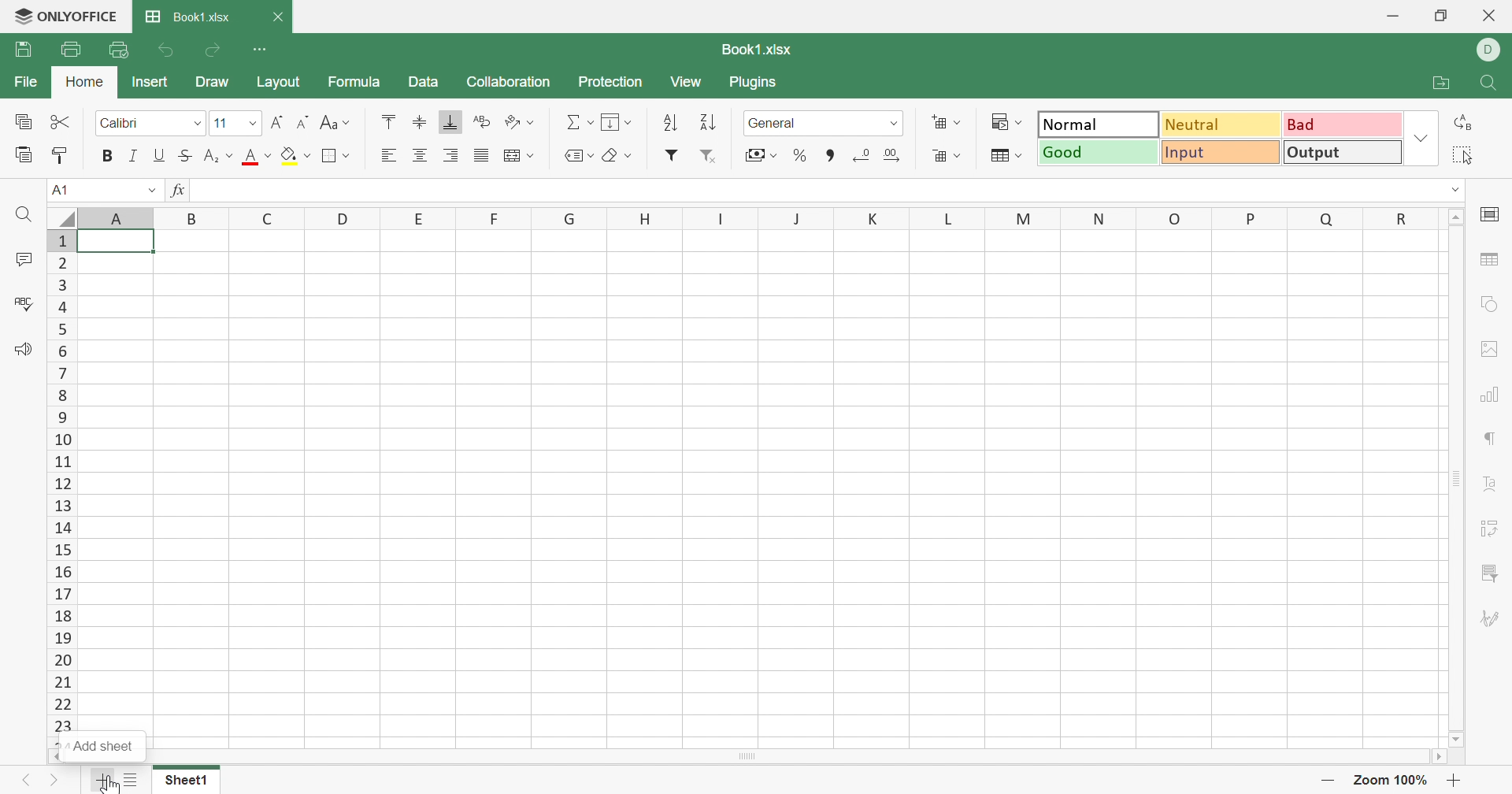 This screenshot has width=1512, height=794. I want to click on Previous, so click(24, 776).